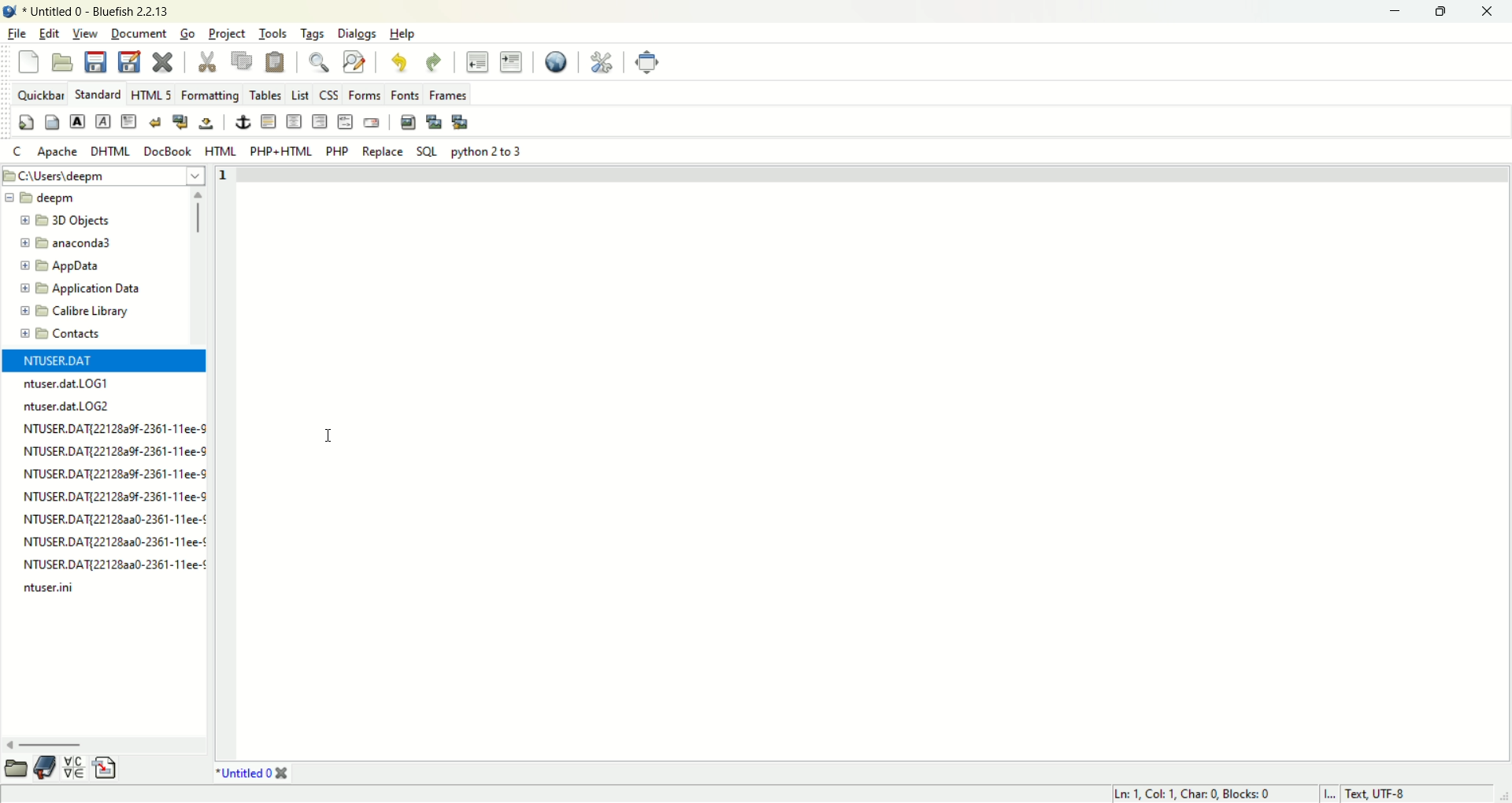  What do you see at coordinates (83, 287) in the screenshot?
I see `folder name` at bounding box center [83, 287].